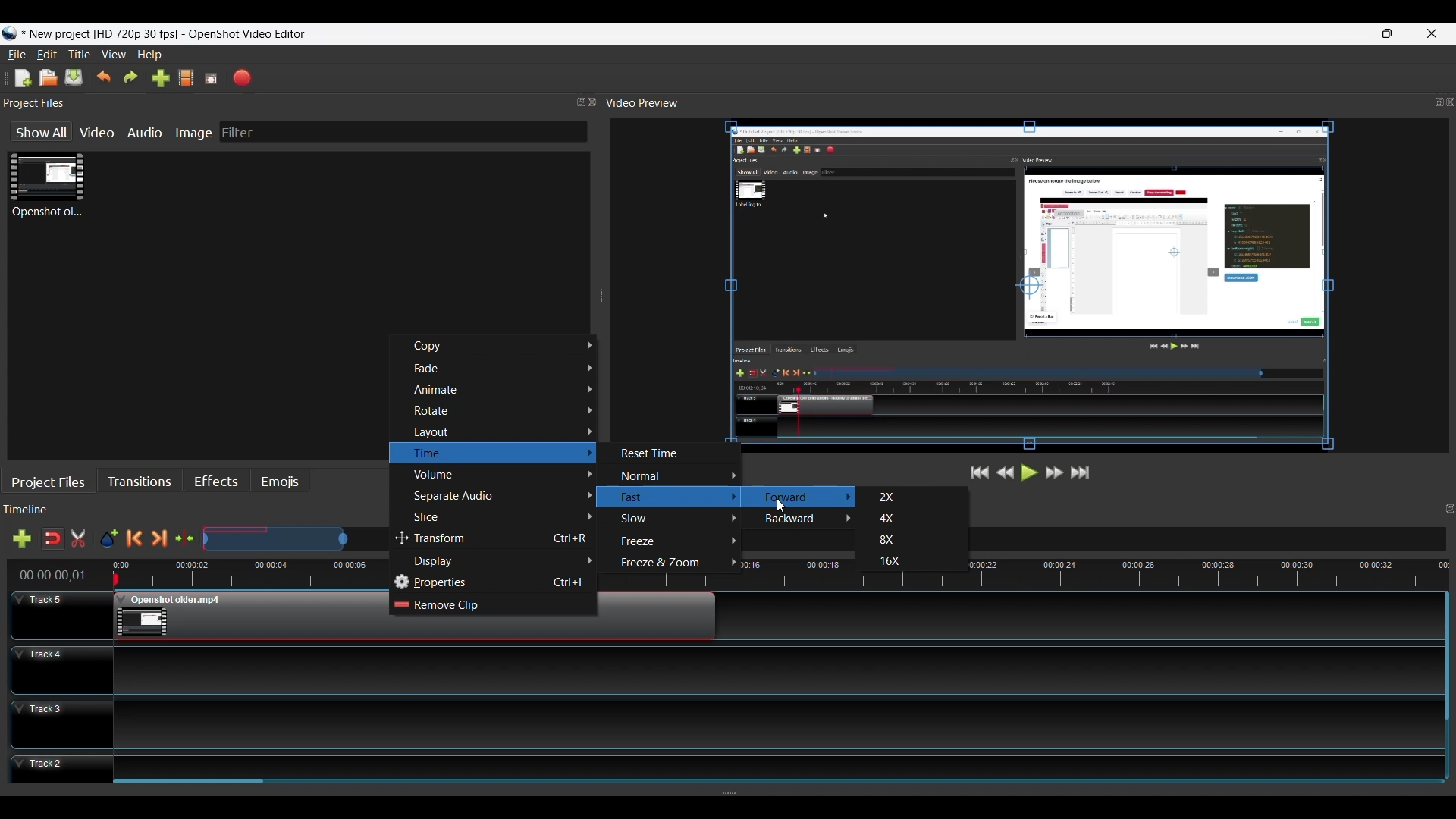 Image resolution: width=1456 pixels, height=819 pixels. Describe the element at coordinates (10, 35) in the screenshot. I see `Openshot Desktop icon` at that location.